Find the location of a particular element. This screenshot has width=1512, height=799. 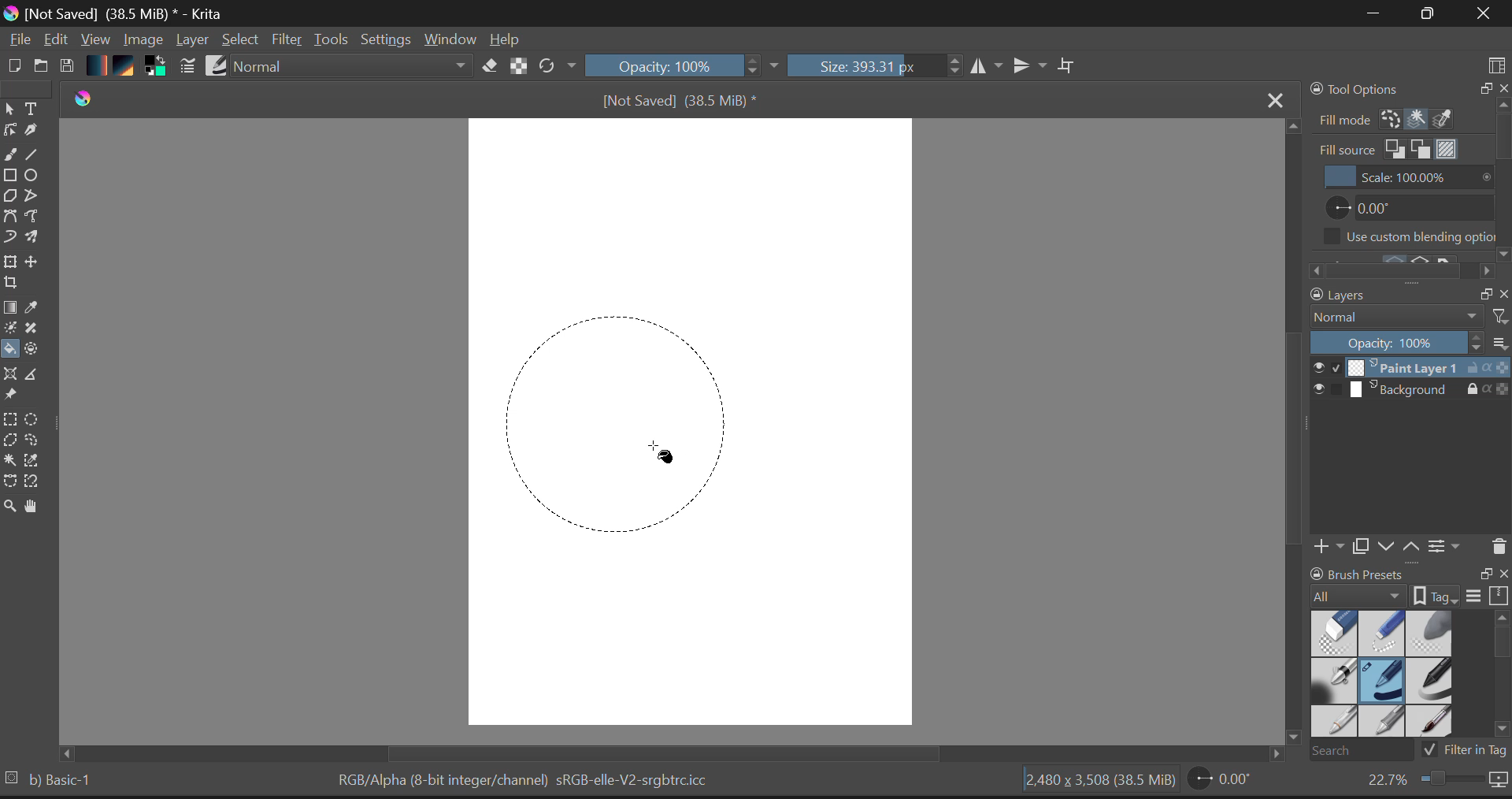

Edit is located at coordinates (57, 40).